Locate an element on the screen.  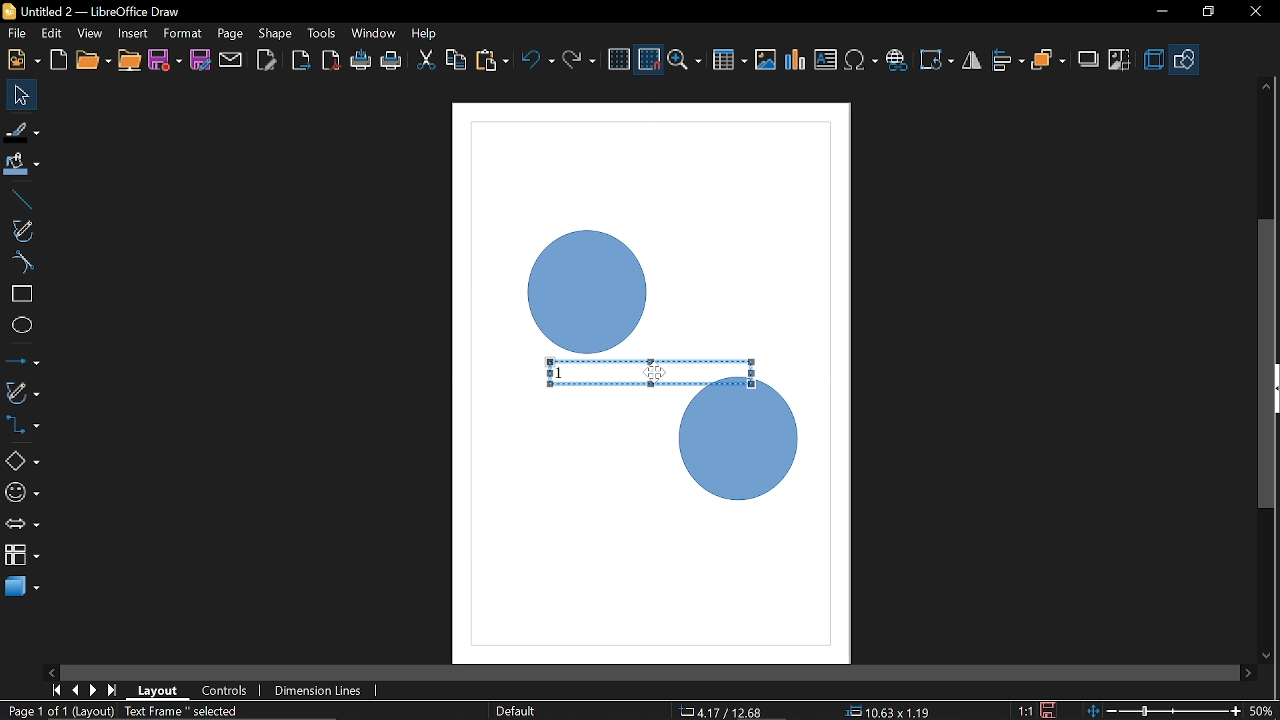
MOve right is located at coordinates (1248, 672).